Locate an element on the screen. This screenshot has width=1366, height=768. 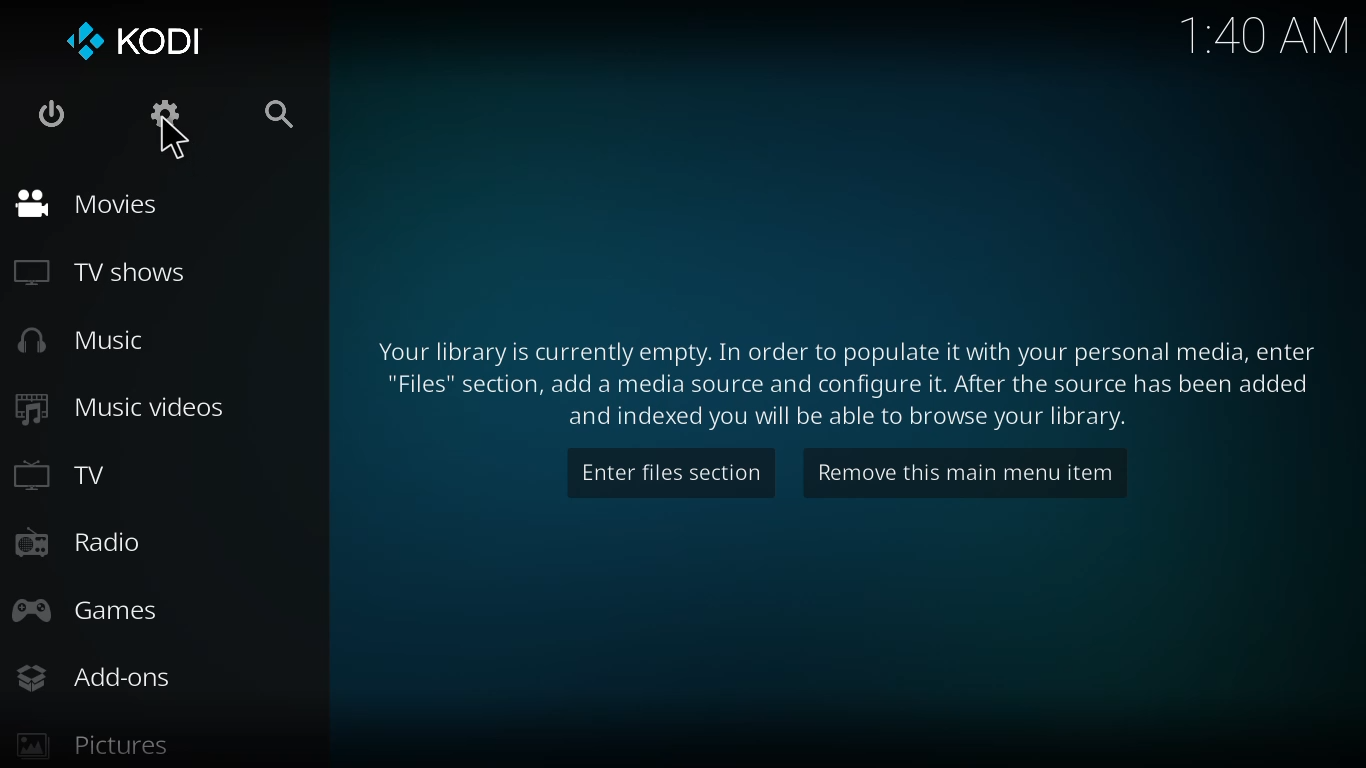
remove this main menu item is located at coordinates (969, 473).